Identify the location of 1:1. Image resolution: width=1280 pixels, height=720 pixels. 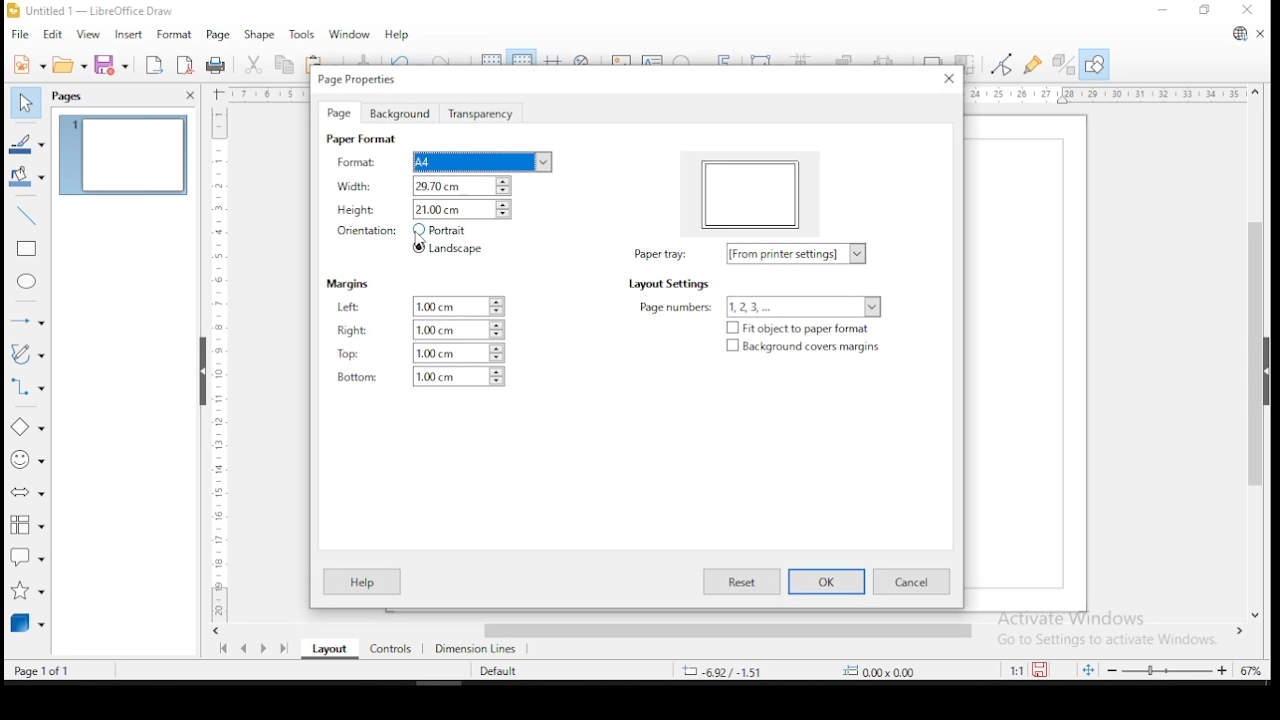
(1013, 670).